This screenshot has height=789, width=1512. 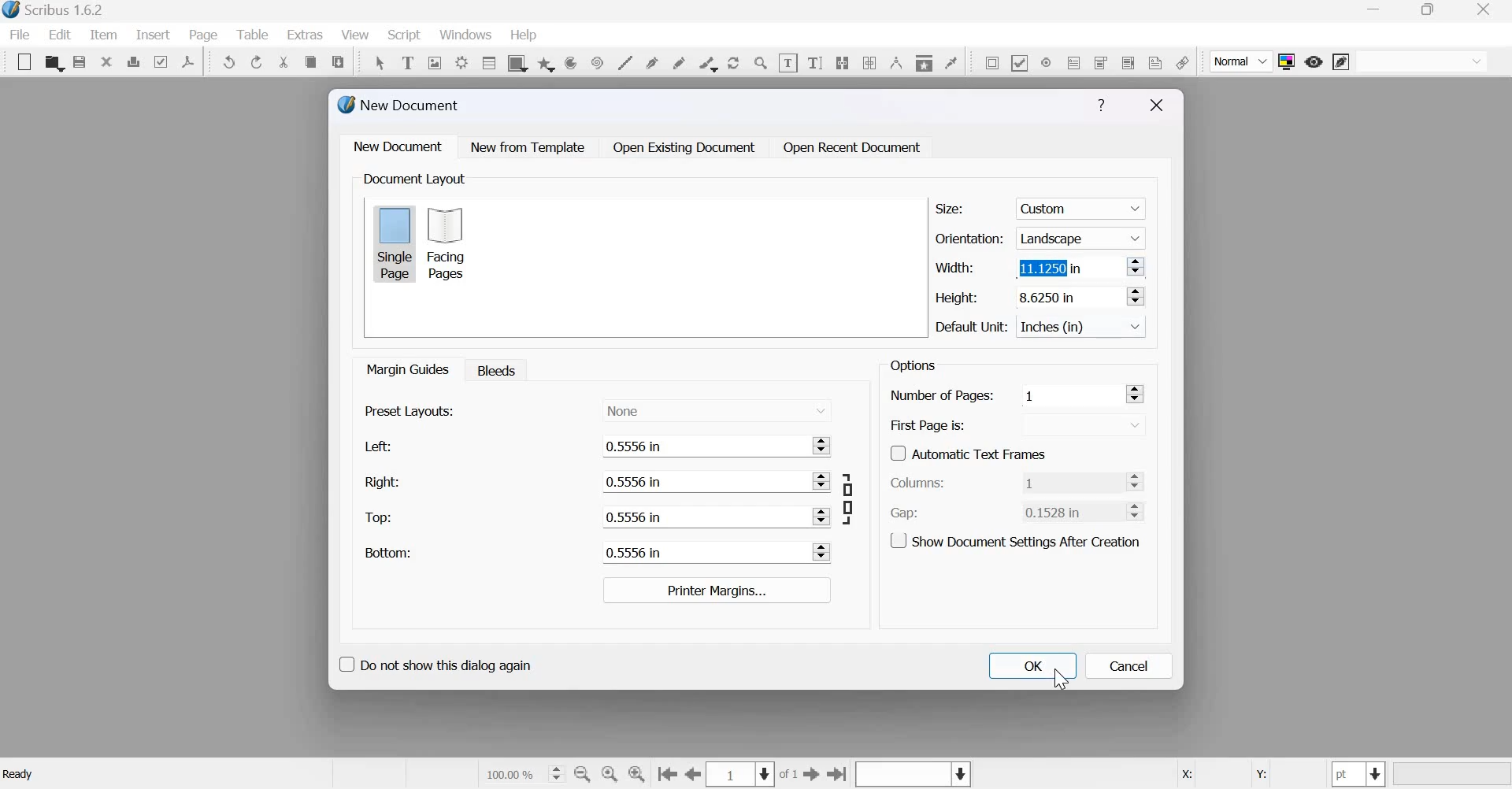 What do you see at coordinates (60, 35) in the screenshot?
I see `Edit` at bounding box center [60, 35].